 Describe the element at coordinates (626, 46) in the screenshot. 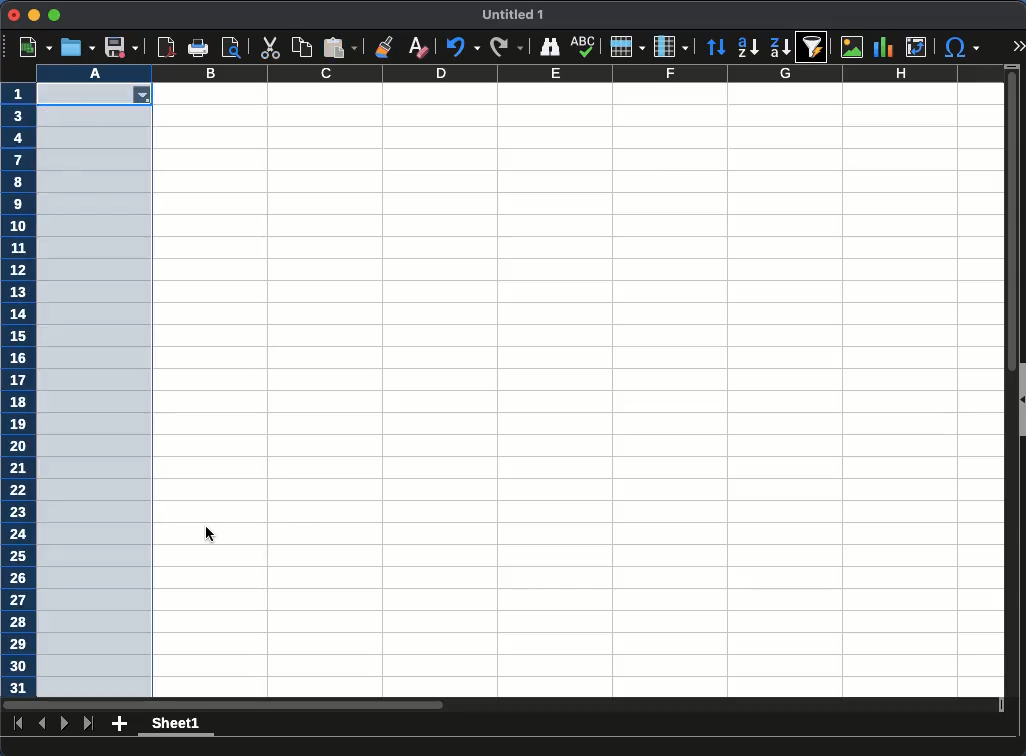

I see `row` at that location.